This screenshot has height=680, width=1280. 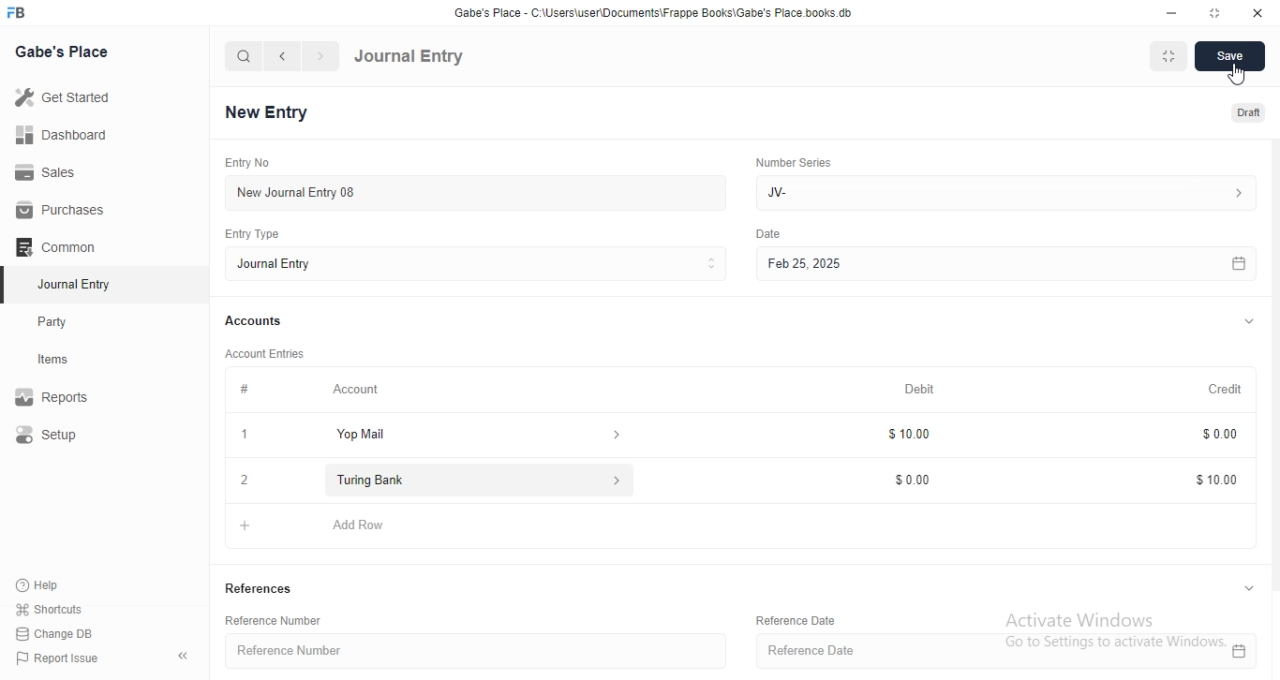 I want to click on Entry Type, so click(x=250, y=234).